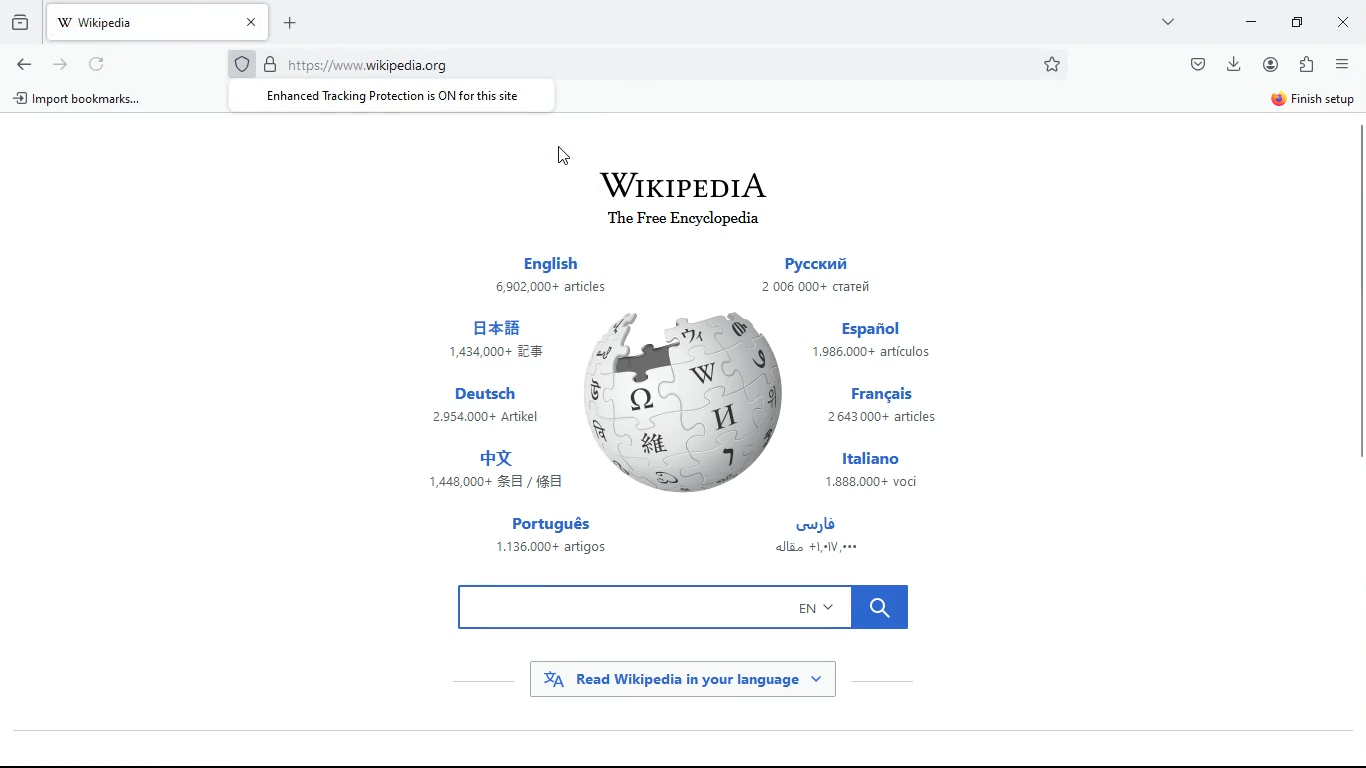 This screenshot has height=768, width=1366. Describe the element at coordinates (564, 156) in the screenshot. I see `Cursor` at that location.